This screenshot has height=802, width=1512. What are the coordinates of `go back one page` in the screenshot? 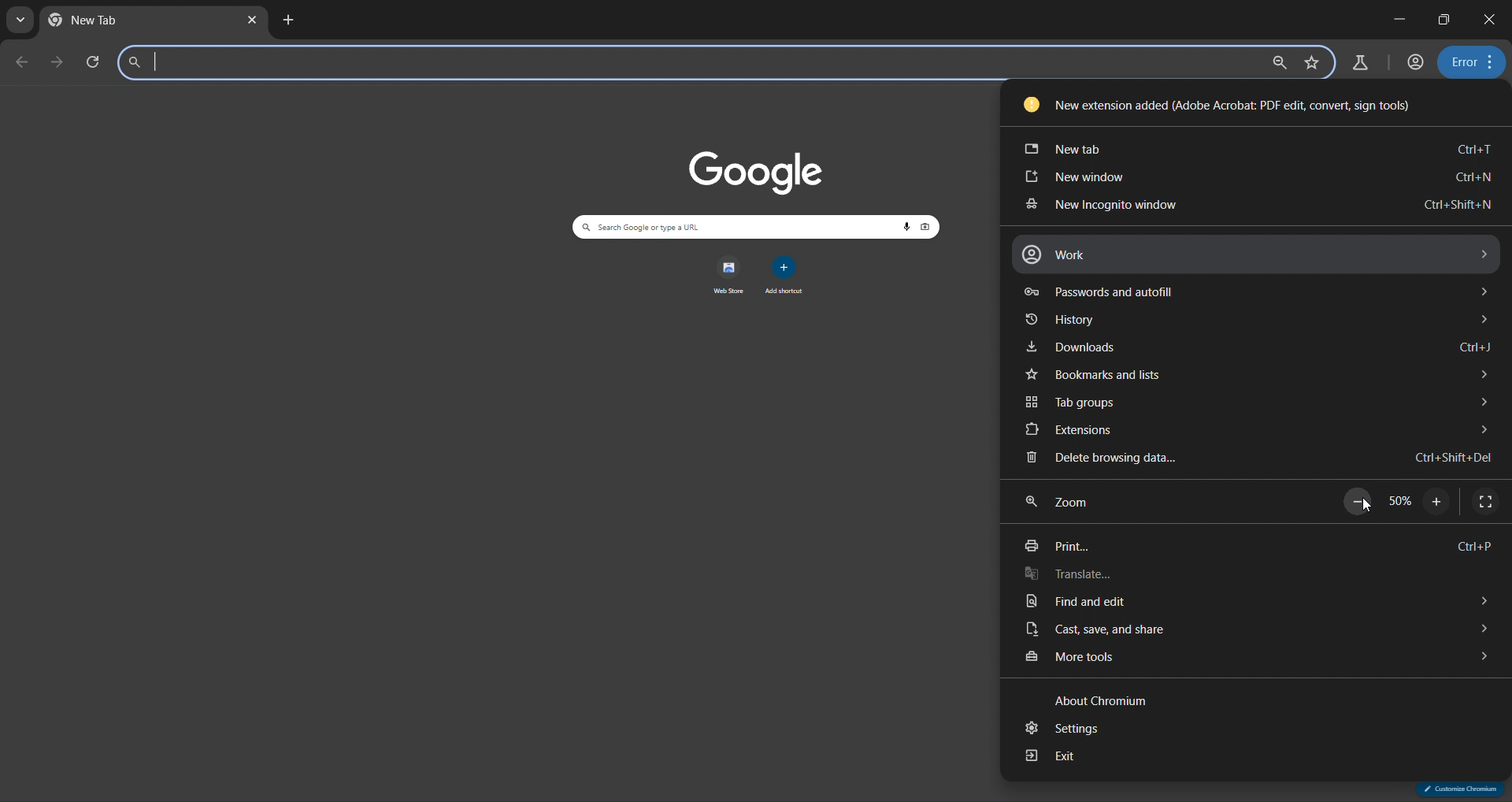 It's located at (23, 62).